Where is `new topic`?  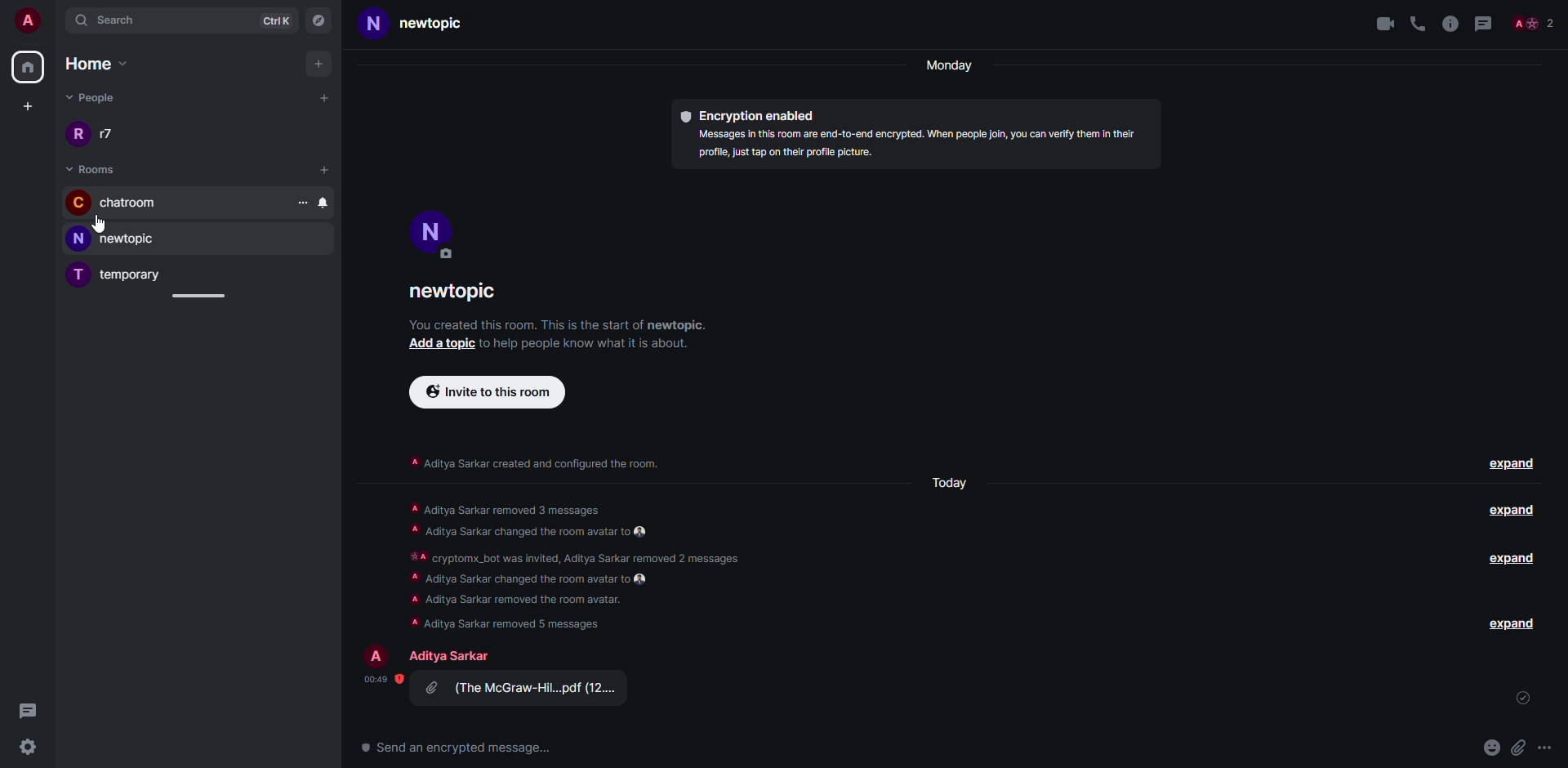
new topic is located at coordinates (121, 238).